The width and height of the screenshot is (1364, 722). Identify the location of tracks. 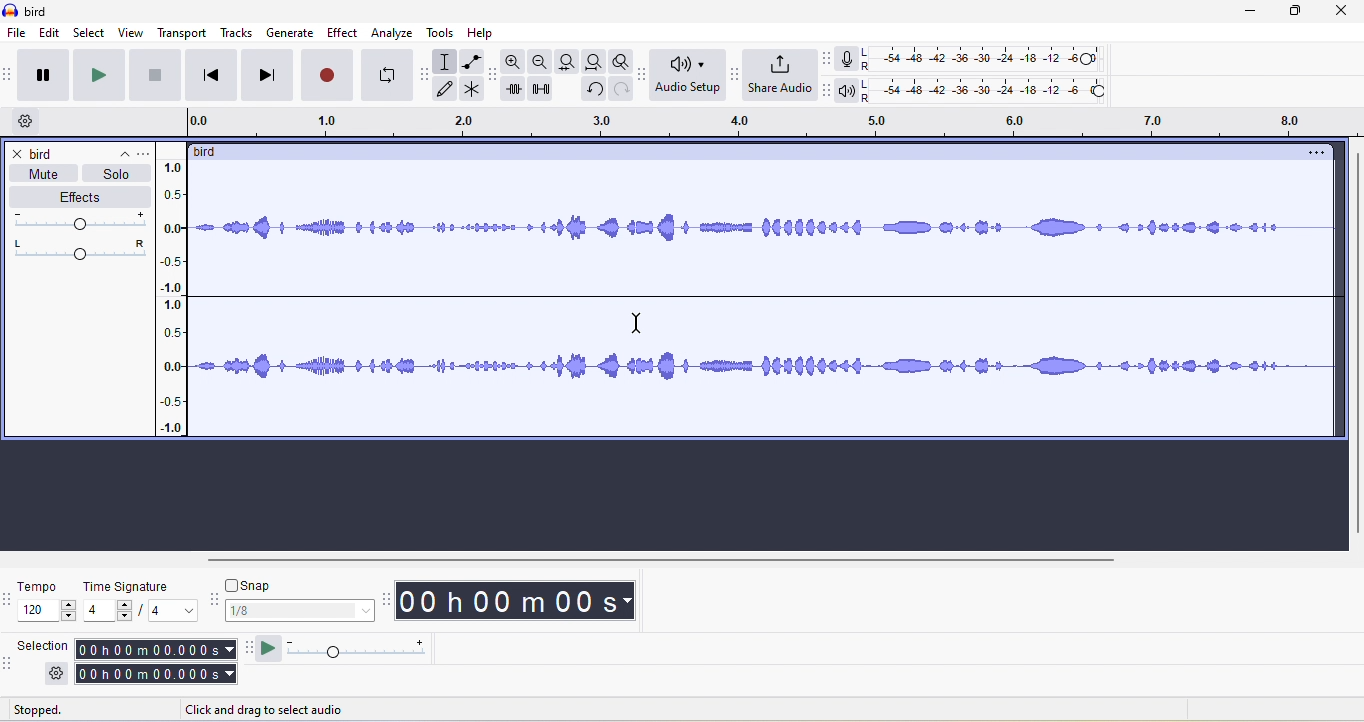
(240, 34).